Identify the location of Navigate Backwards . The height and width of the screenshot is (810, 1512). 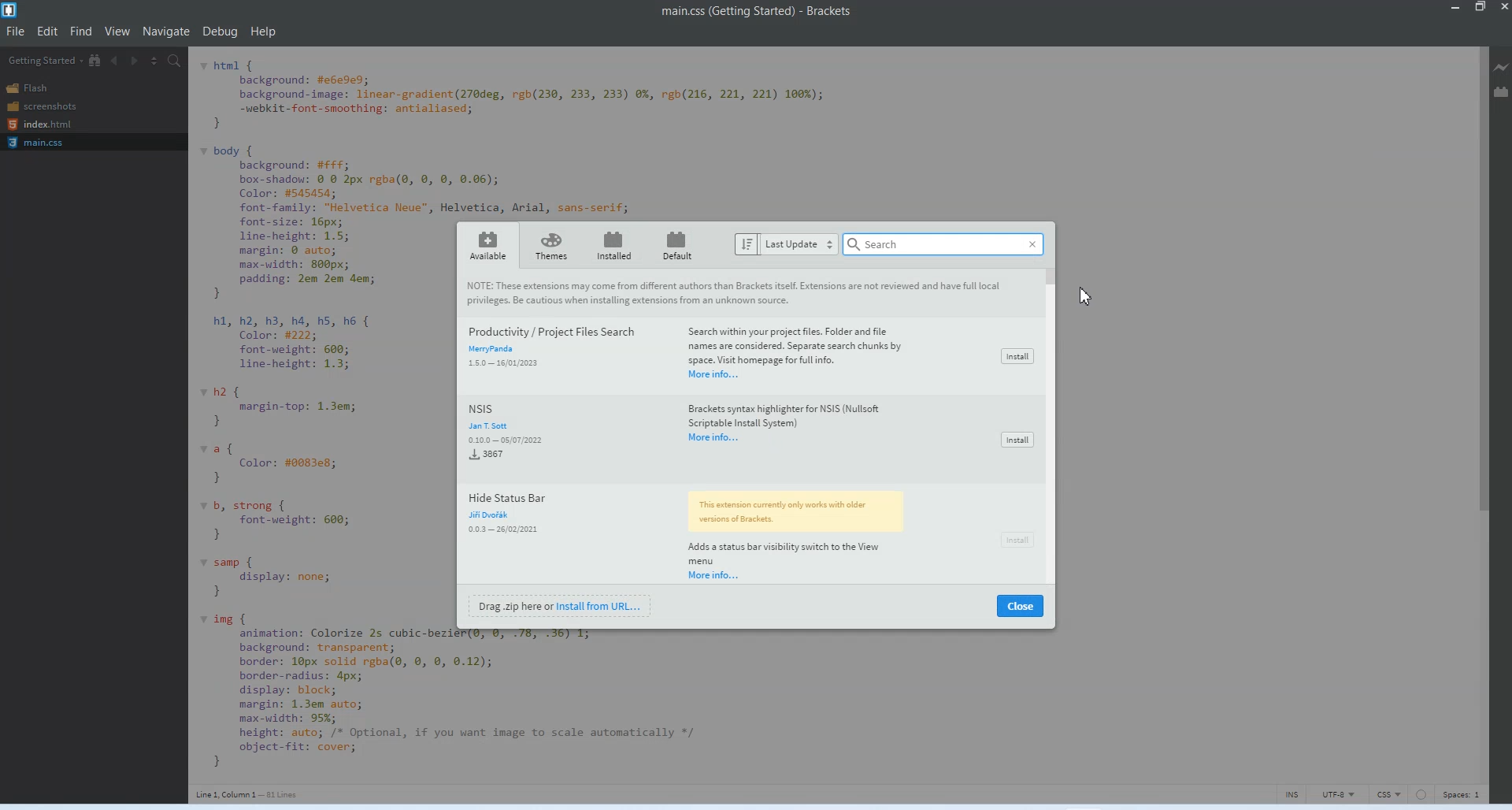
(114, 60).